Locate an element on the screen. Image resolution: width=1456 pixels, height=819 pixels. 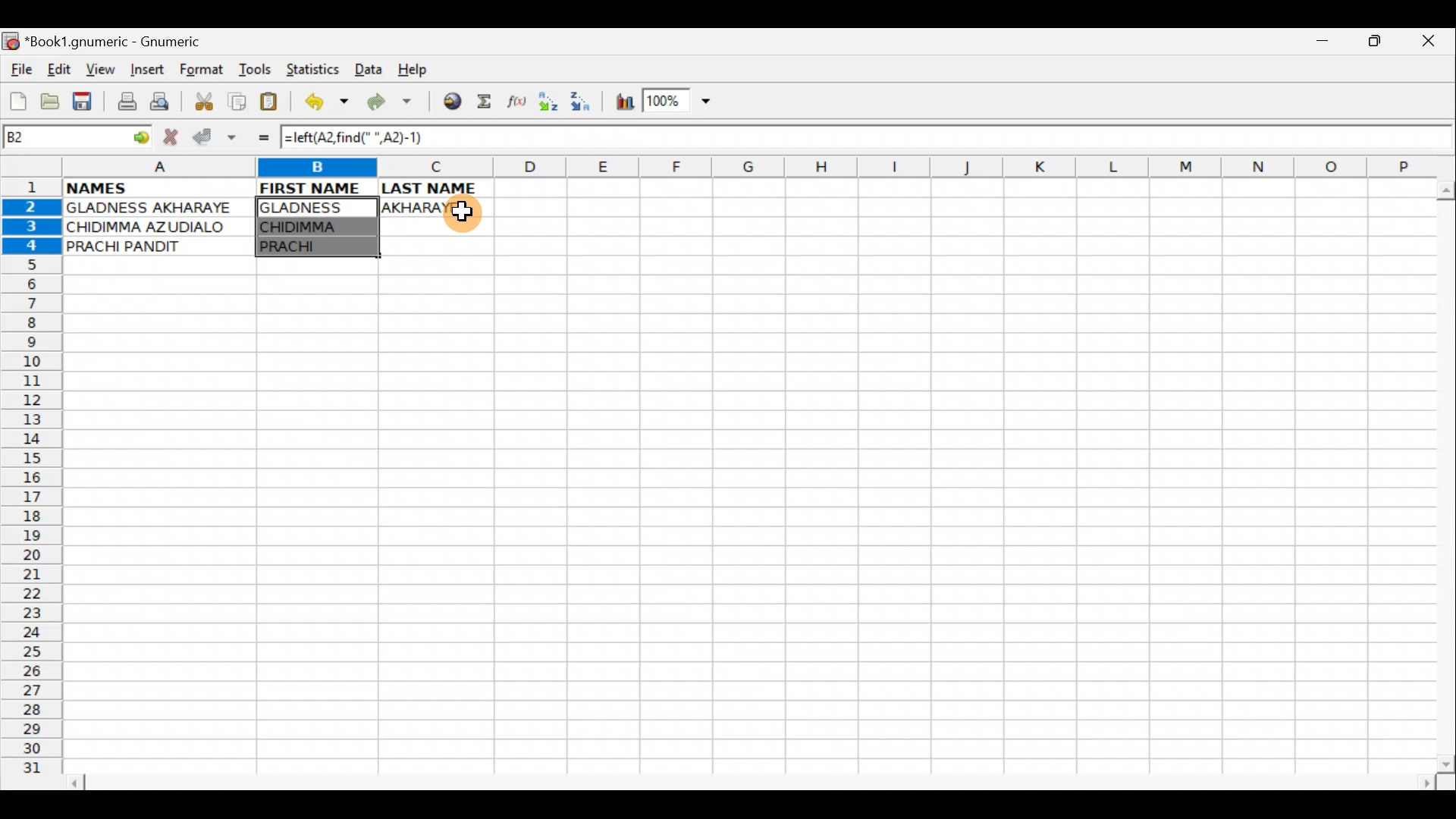
*Book1.gnumeric - Gnumeric is located at coordinates (127, 42).